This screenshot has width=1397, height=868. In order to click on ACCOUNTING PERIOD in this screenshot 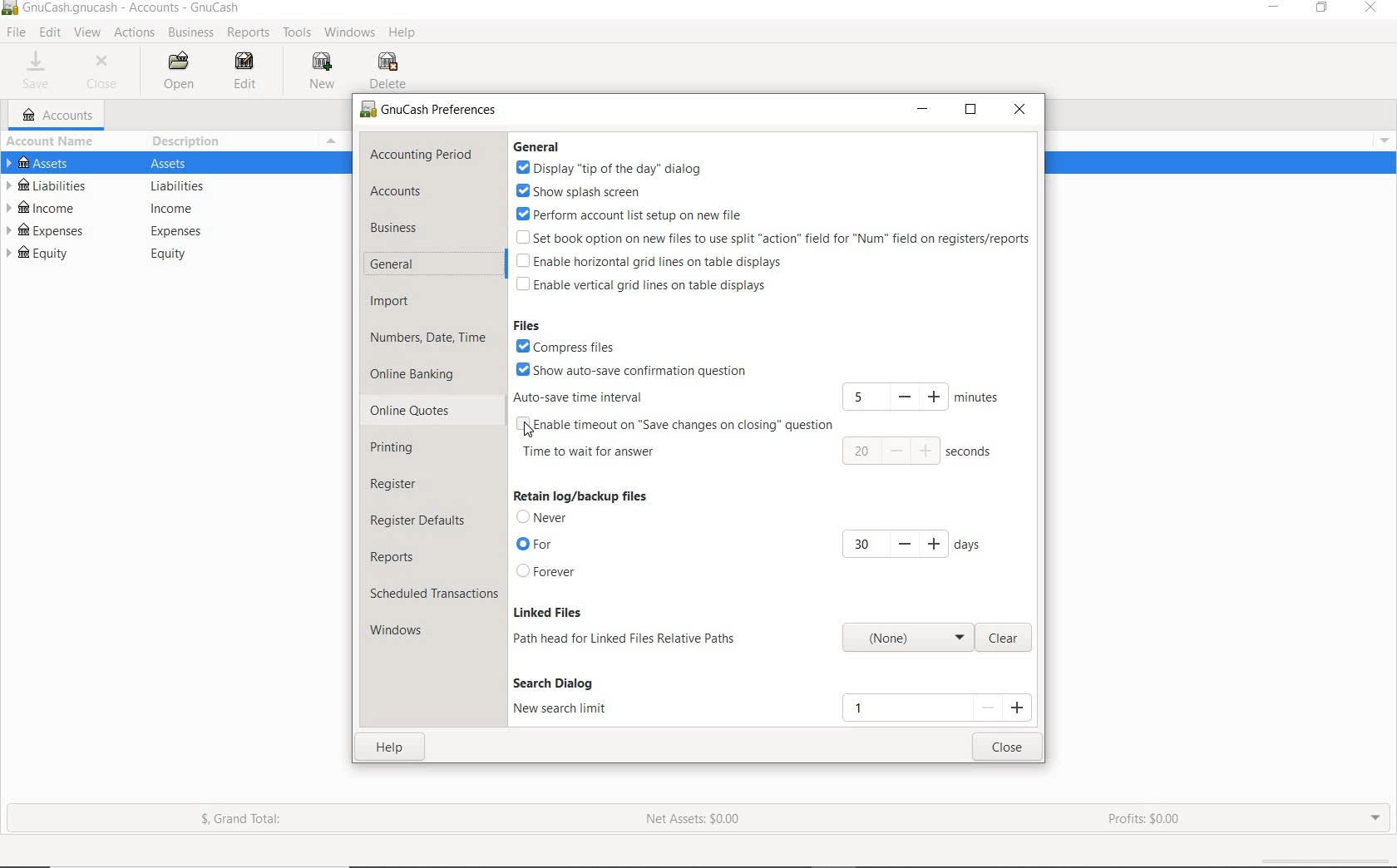, I will do `click(423, 155)`.